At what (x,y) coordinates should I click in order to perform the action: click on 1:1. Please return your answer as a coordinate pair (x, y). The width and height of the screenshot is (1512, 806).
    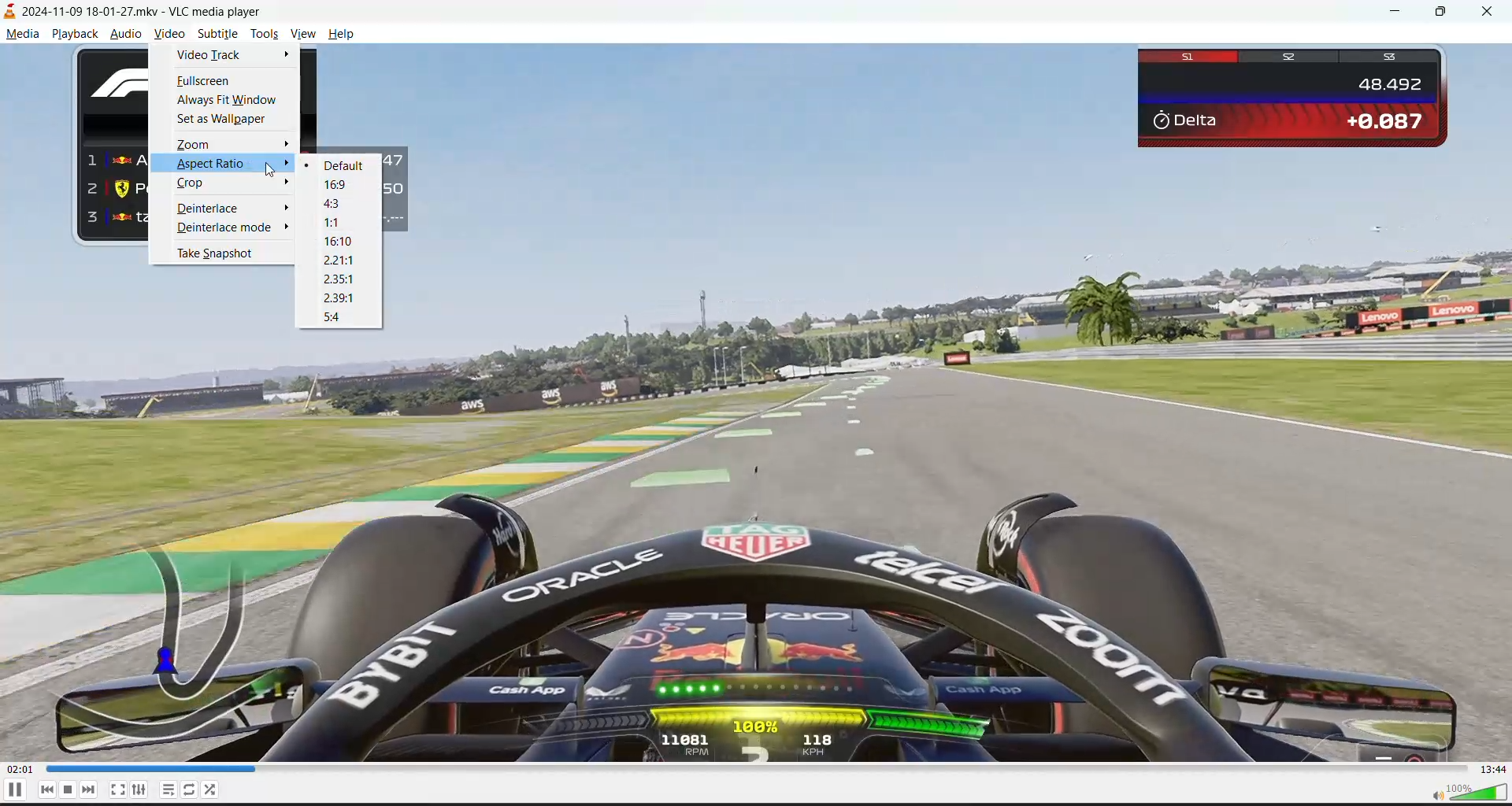
    Looking at the image, I should click on (336, 222).